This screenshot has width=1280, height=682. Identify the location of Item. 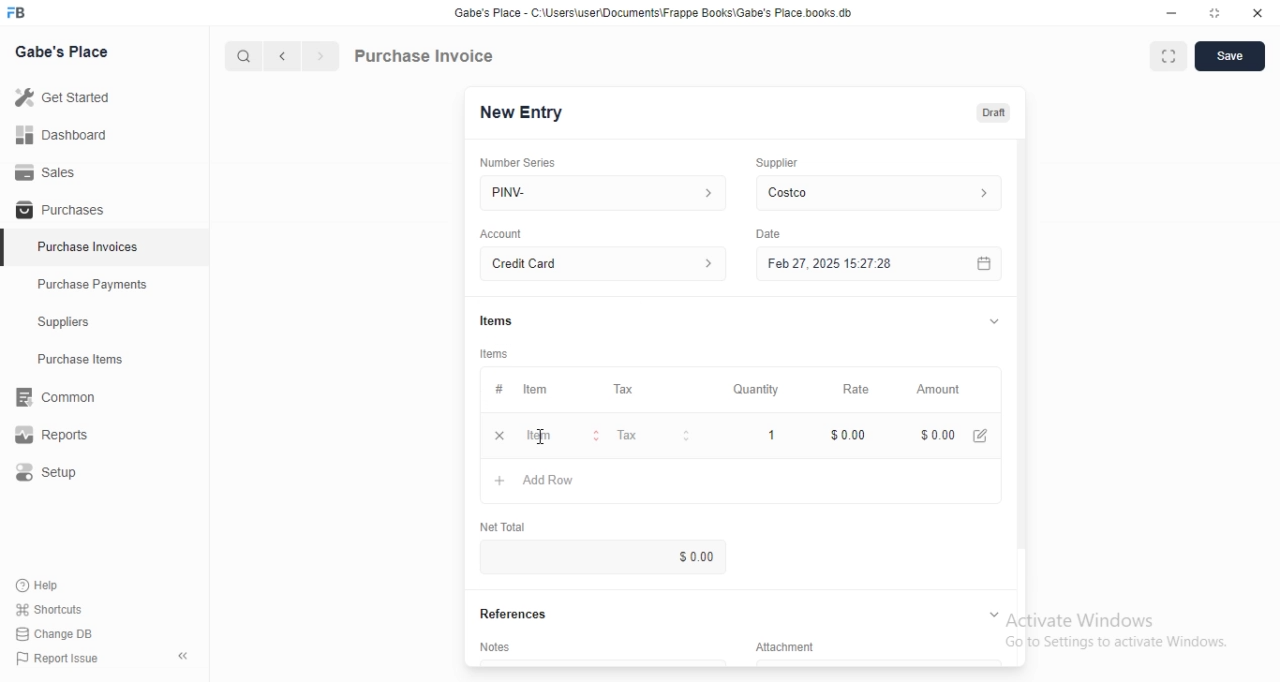
(559, 435).